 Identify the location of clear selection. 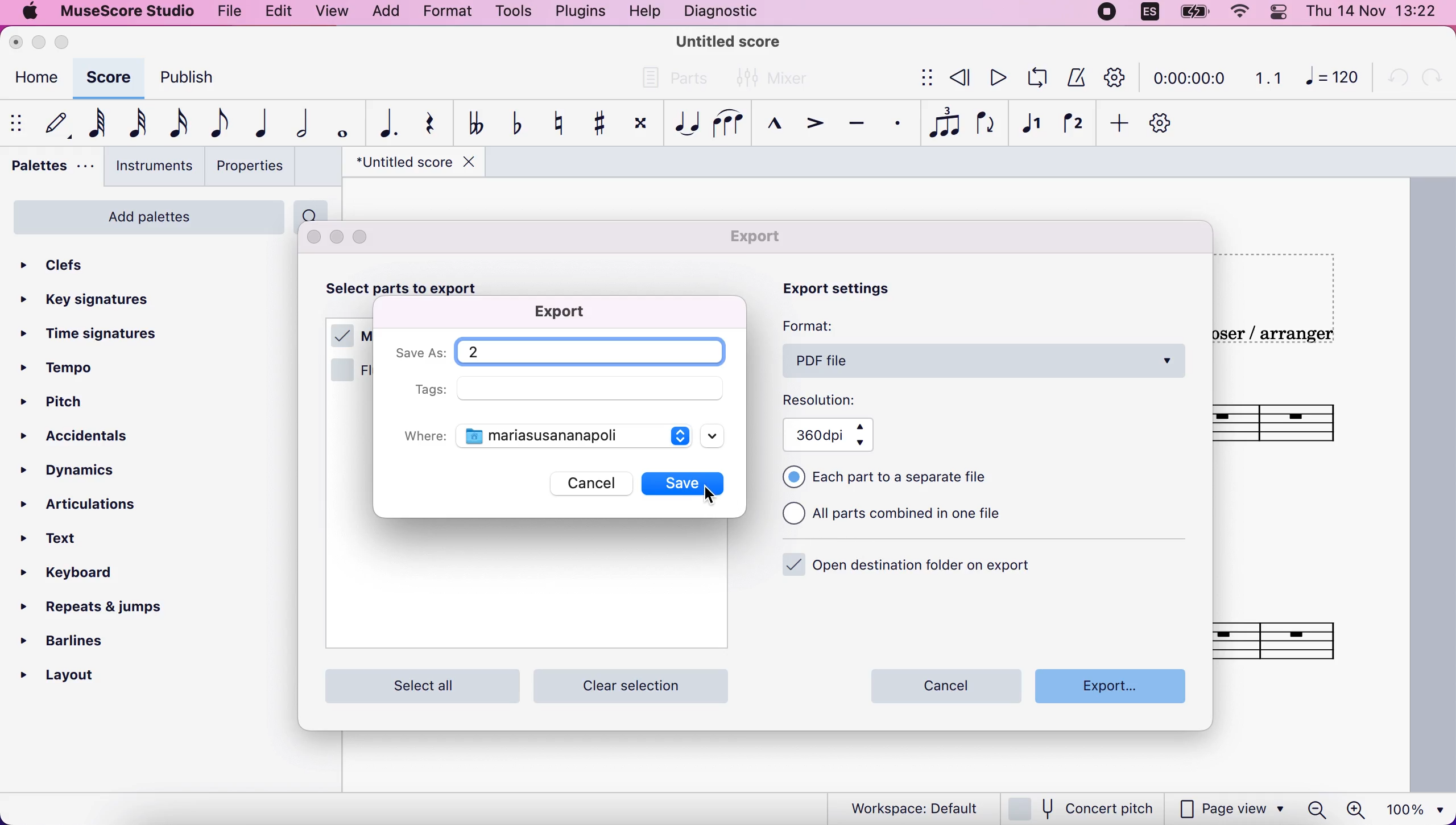
(630, 686).